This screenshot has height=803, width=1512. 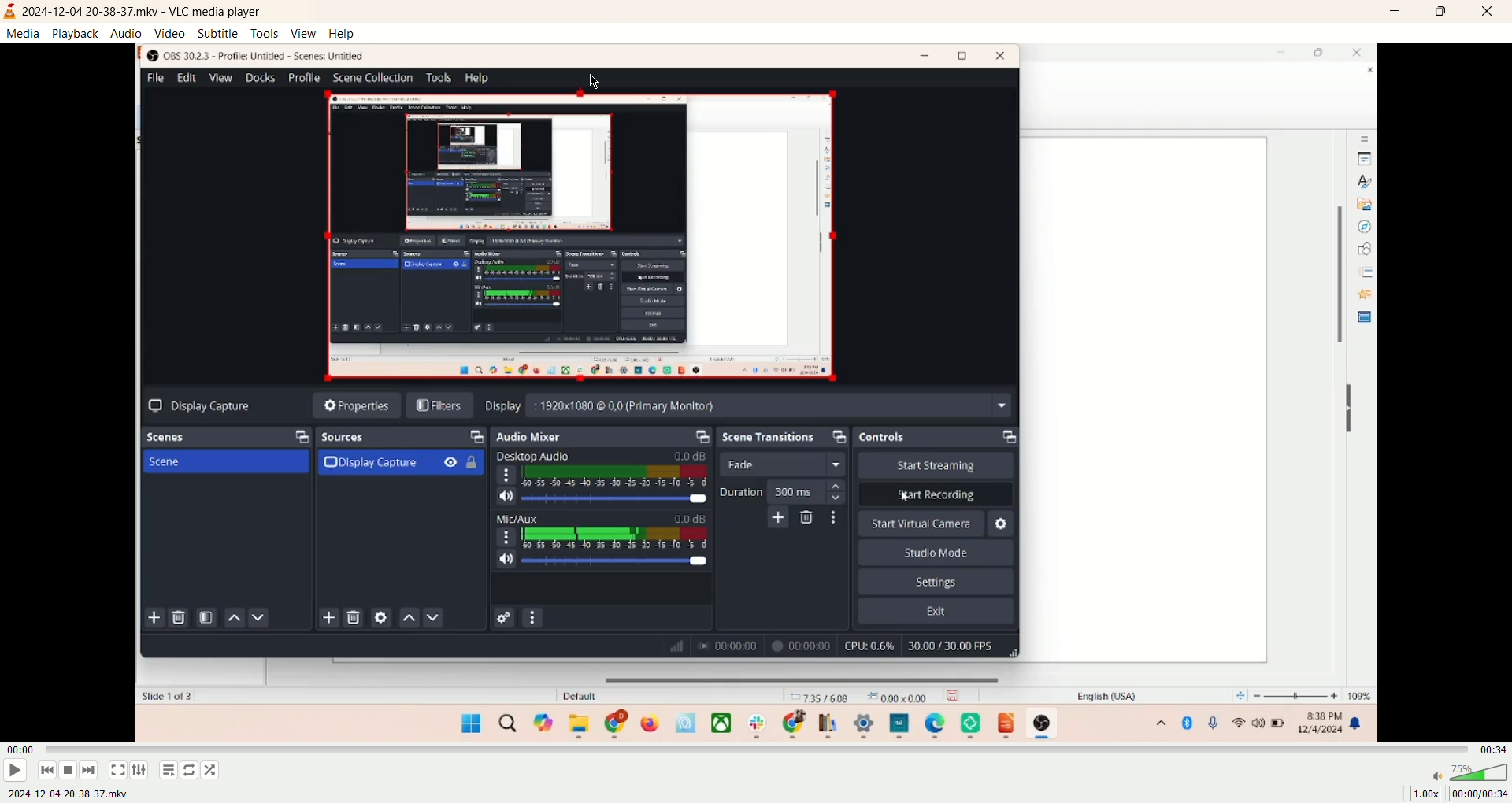 I want to click on playlist, so click(x=166, y=770).